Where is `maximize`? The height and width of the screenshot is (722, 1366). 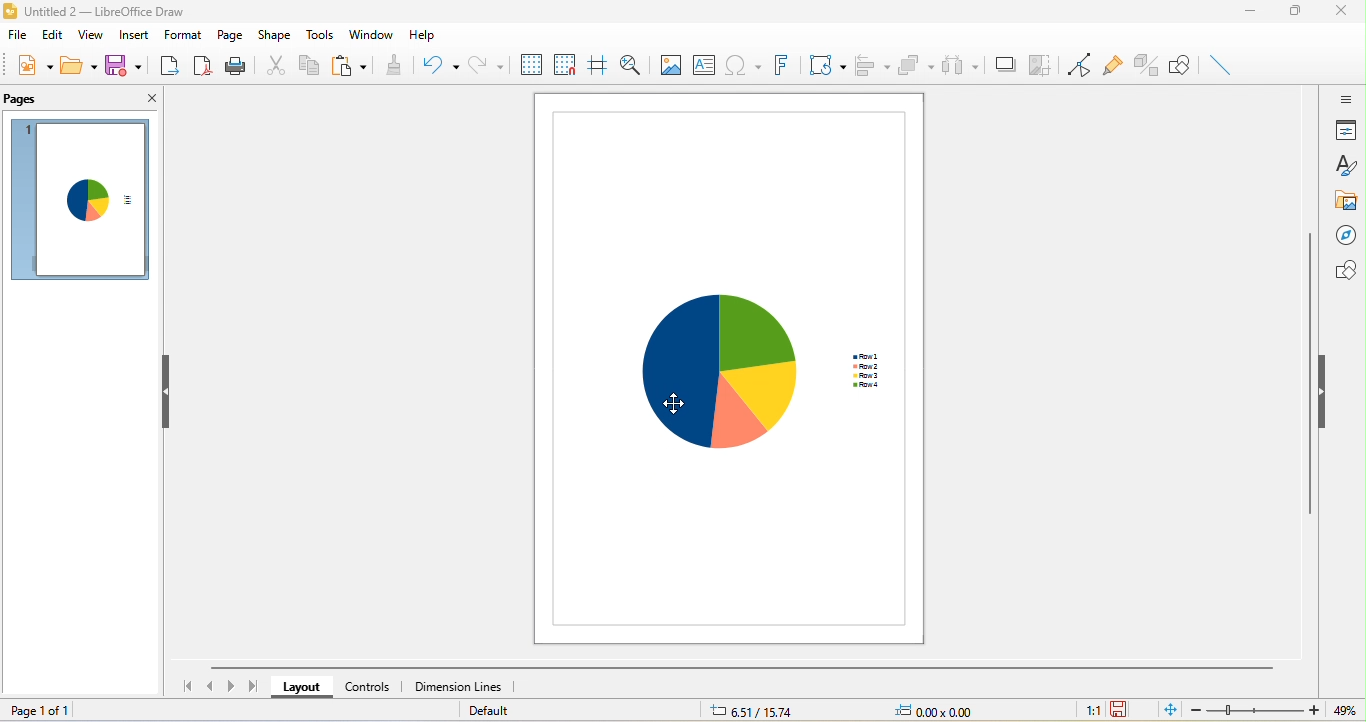
maximize is located at coordinates (1295, 12).